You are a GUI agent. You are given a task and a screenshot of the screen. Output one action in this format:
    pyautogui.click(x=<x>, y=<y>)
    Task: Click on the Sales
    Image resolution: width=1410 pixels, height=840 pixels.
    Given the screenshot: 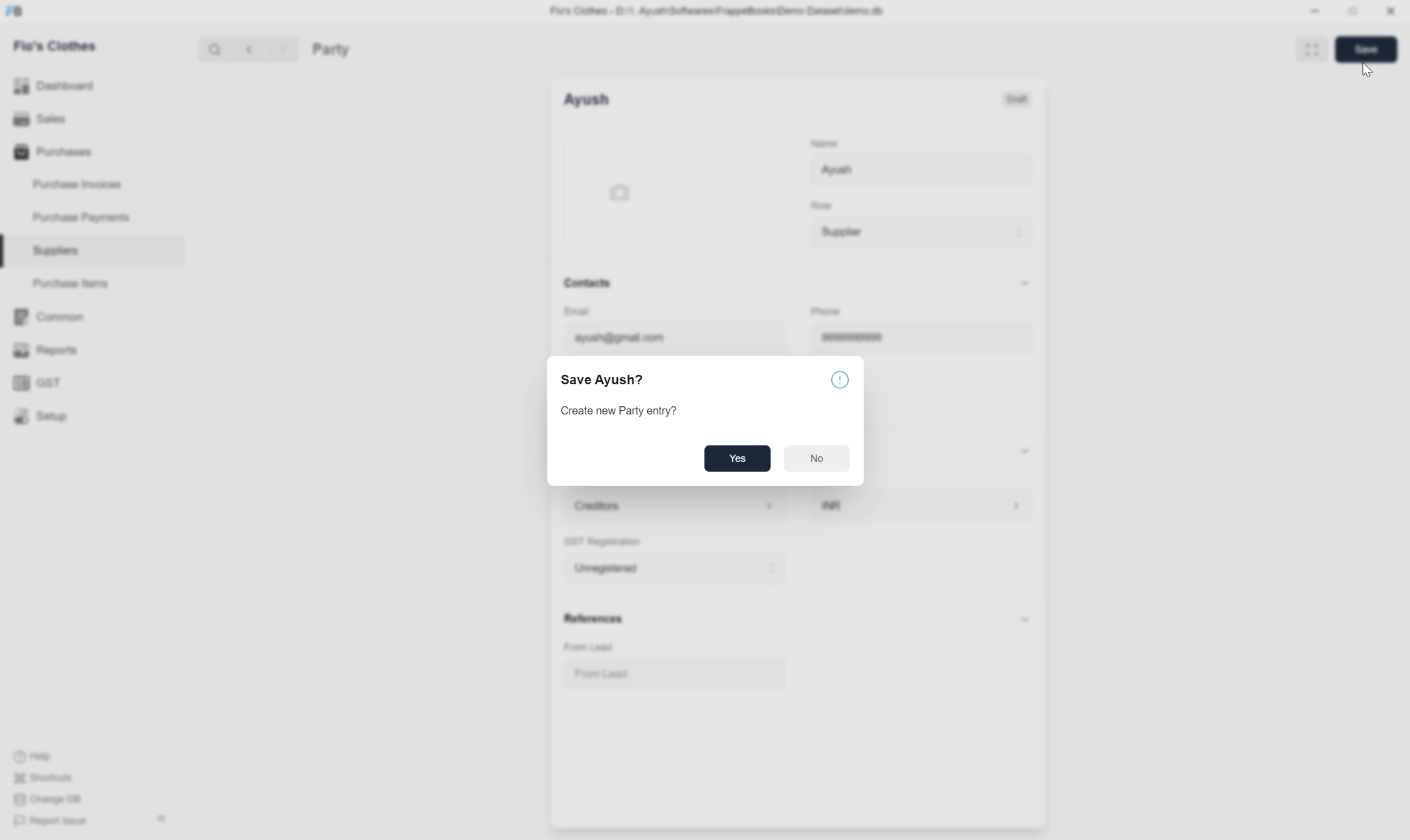 What is the action you would take?
    pyautogui.click(x=92, y=119)
    